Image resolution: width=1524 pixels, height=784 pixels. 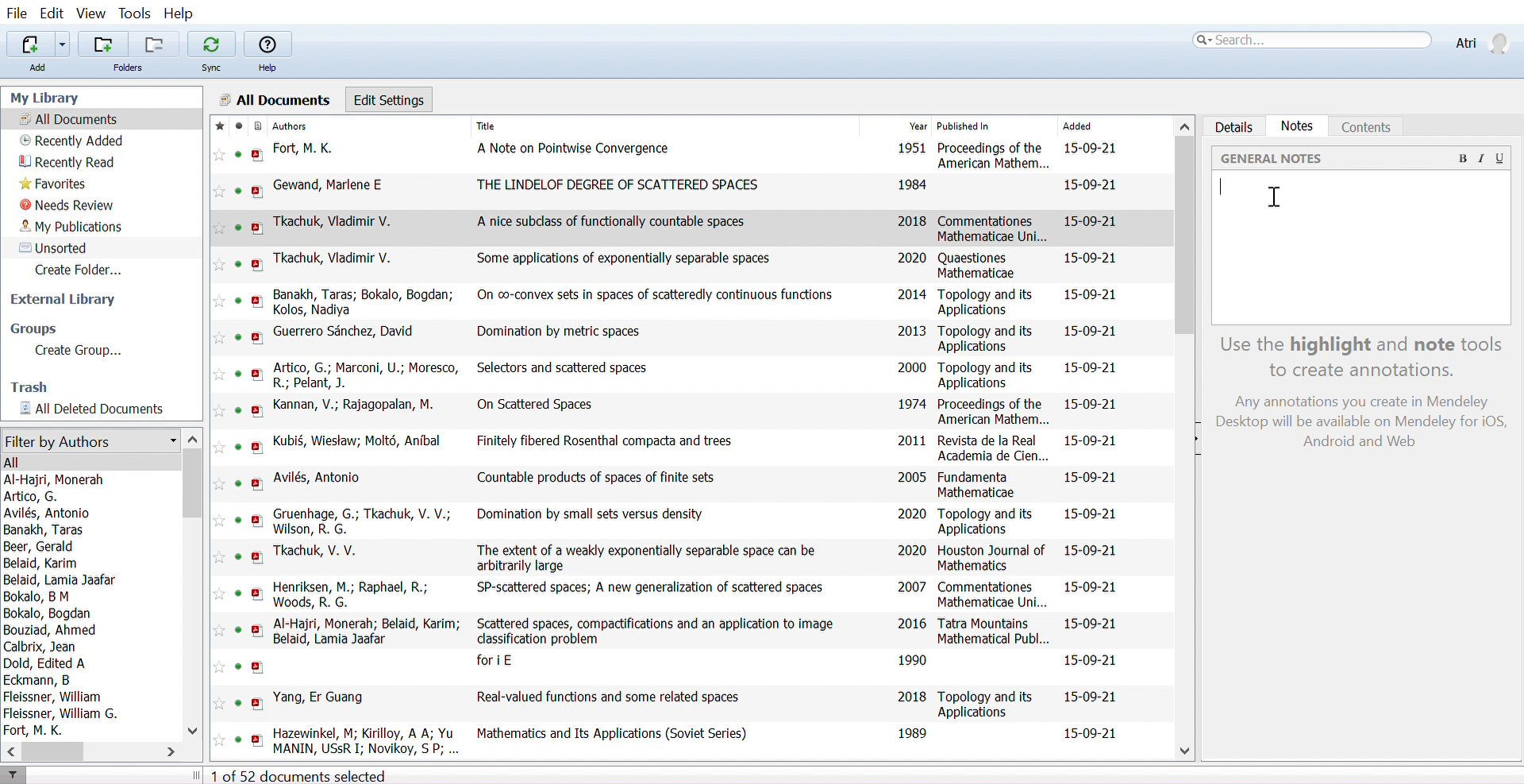 I want to click on Selectors and scattered spaces, so click(x=564, y=368).